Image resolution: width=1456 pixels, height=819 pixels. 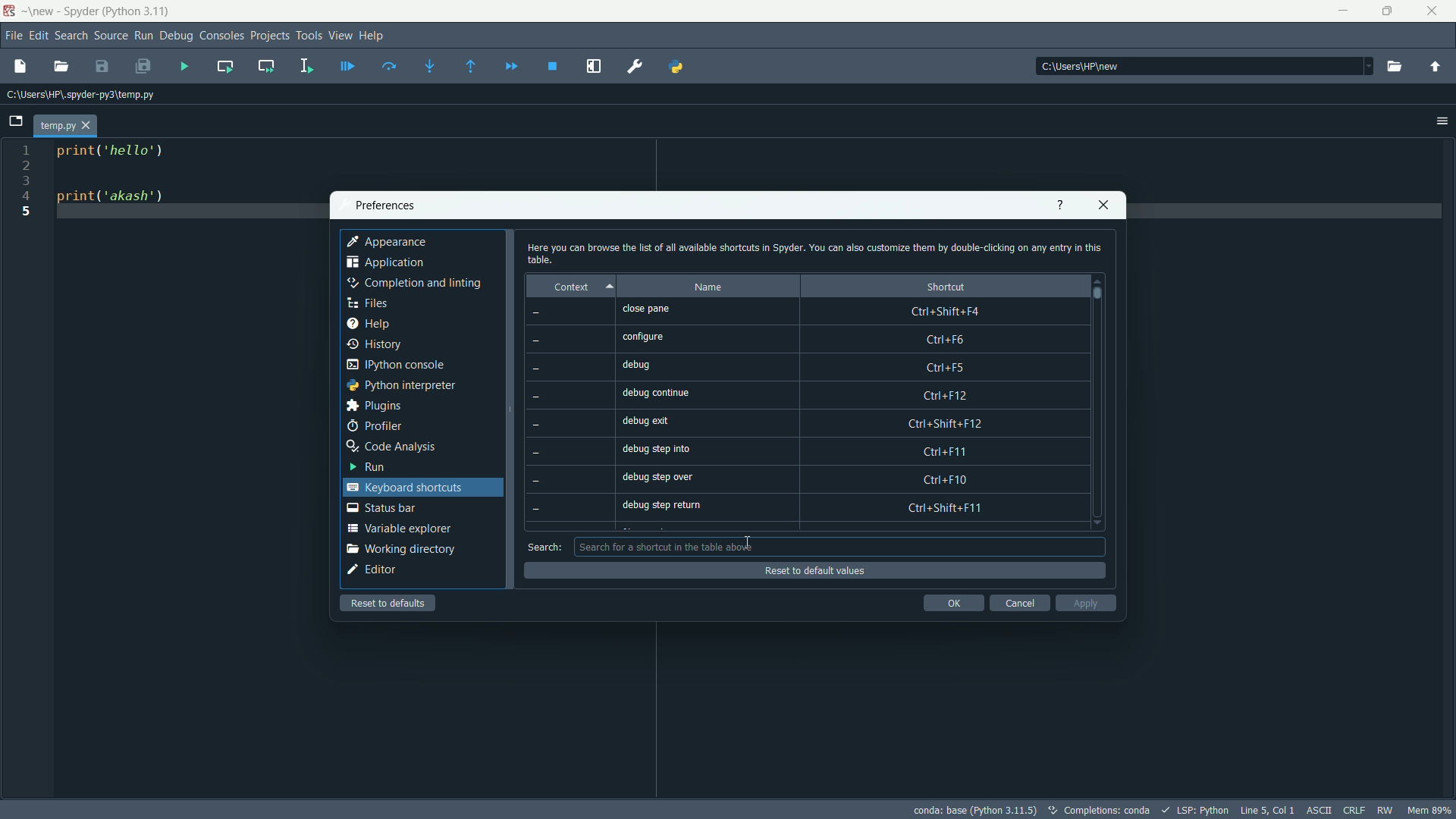 What do you see at coordinates (184, 65) in the screenshot?
I see `run file` at bounding box center [184, 65].